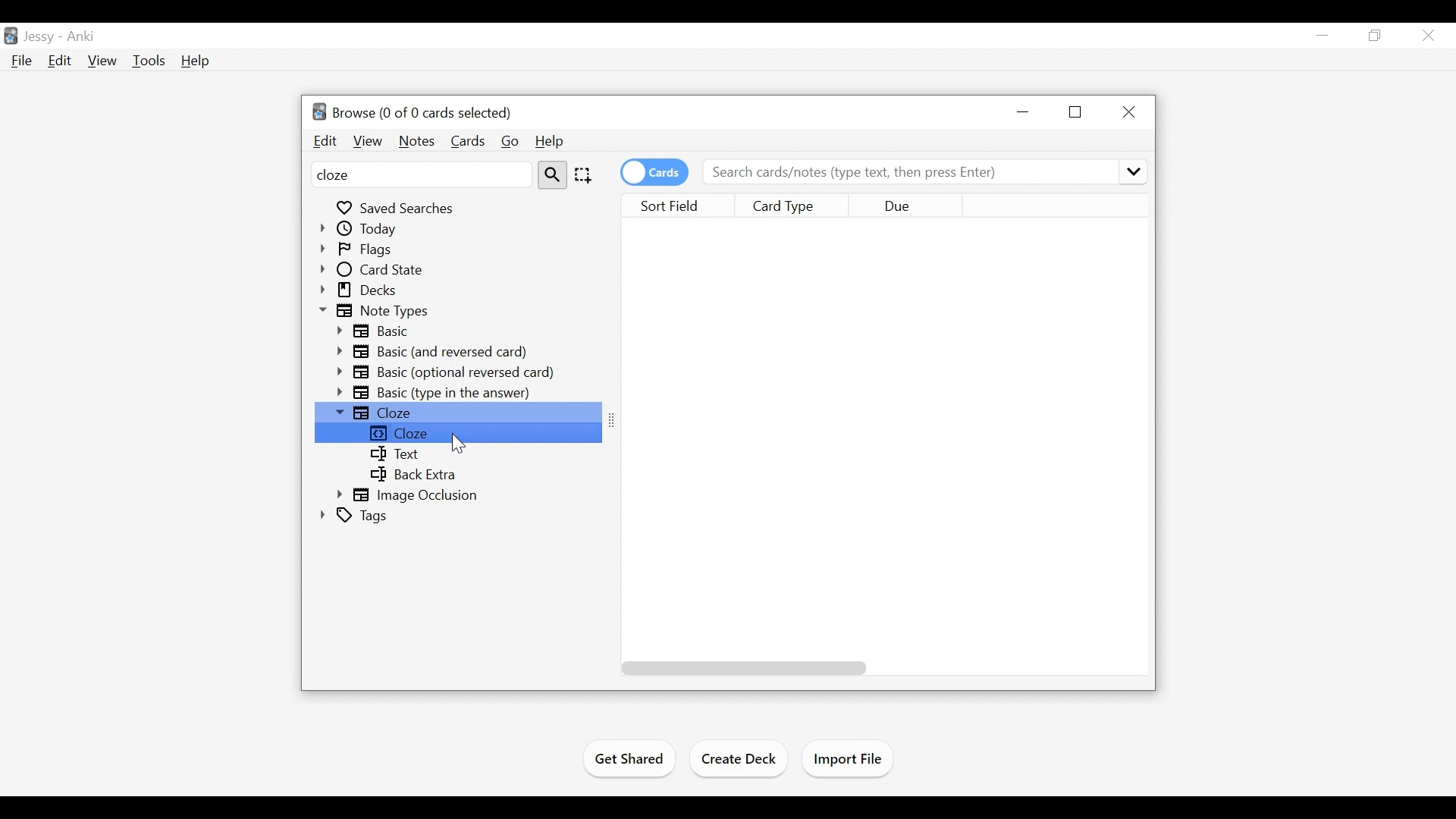 The height and width of the screenshot is (819, 1456). What do you see at coordinates (741, 758) in the screenshot?
I see `Create Deck` at bounding box center [741, 758].